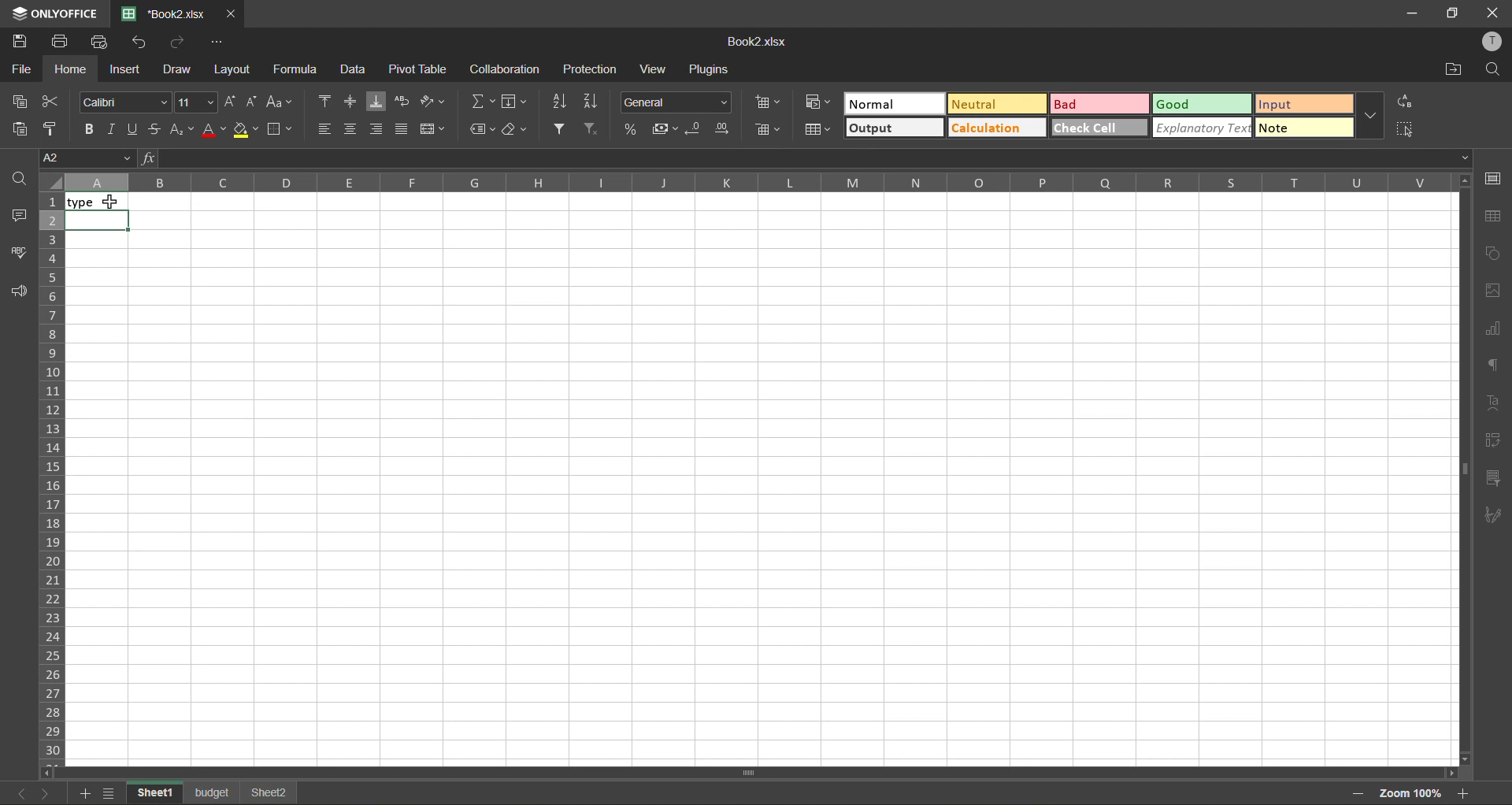  What do you see at coordinates (50, 98) in the screenshot?
I see `cut` at bounding box center [50, 98].